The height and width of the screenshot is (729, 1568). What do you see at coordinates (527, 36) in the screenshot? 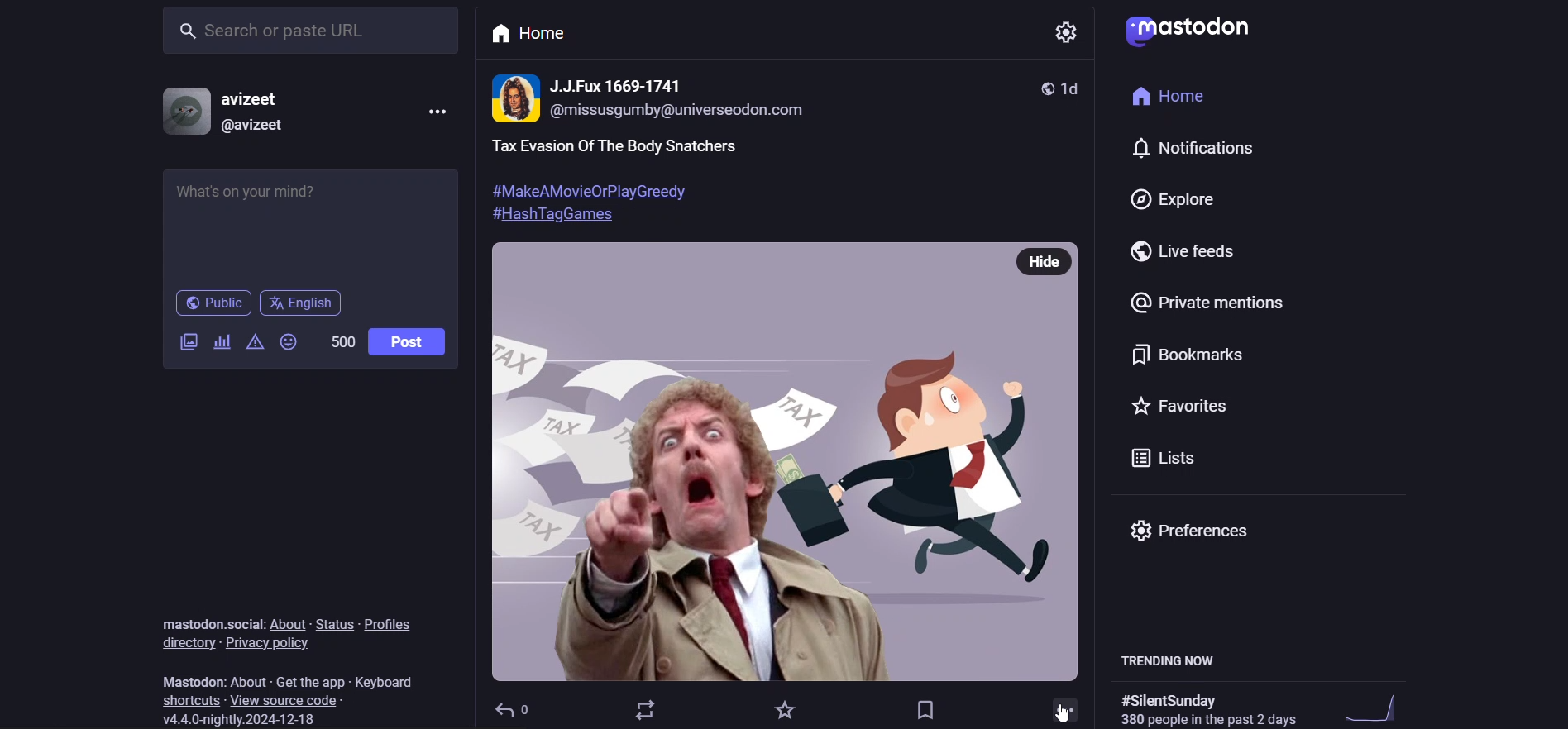
I see `home` at bounding box center [527, 36].